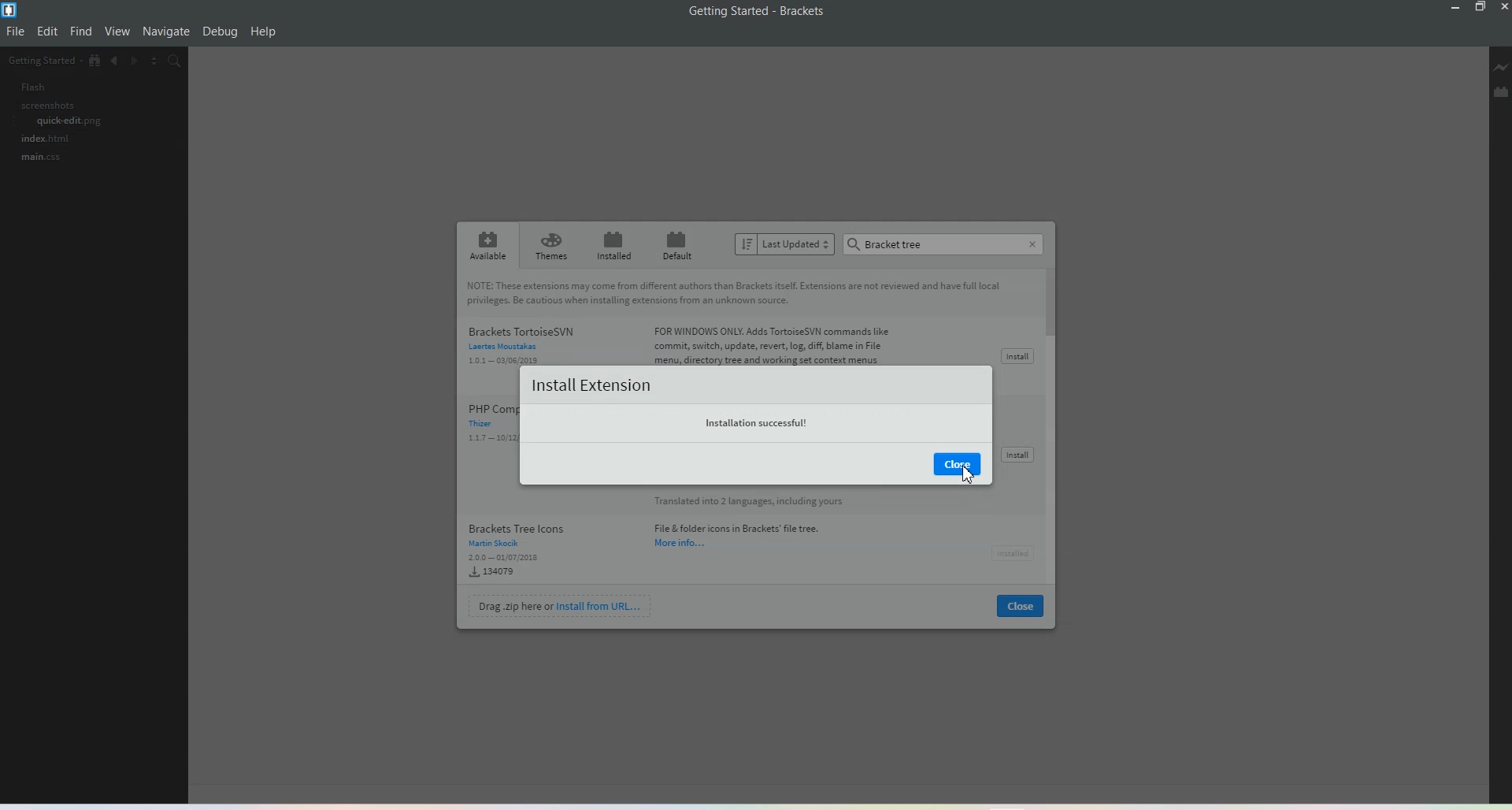  Describe the element at coordinates (35, 160) in the screenshot. I see `main.css` at that location.